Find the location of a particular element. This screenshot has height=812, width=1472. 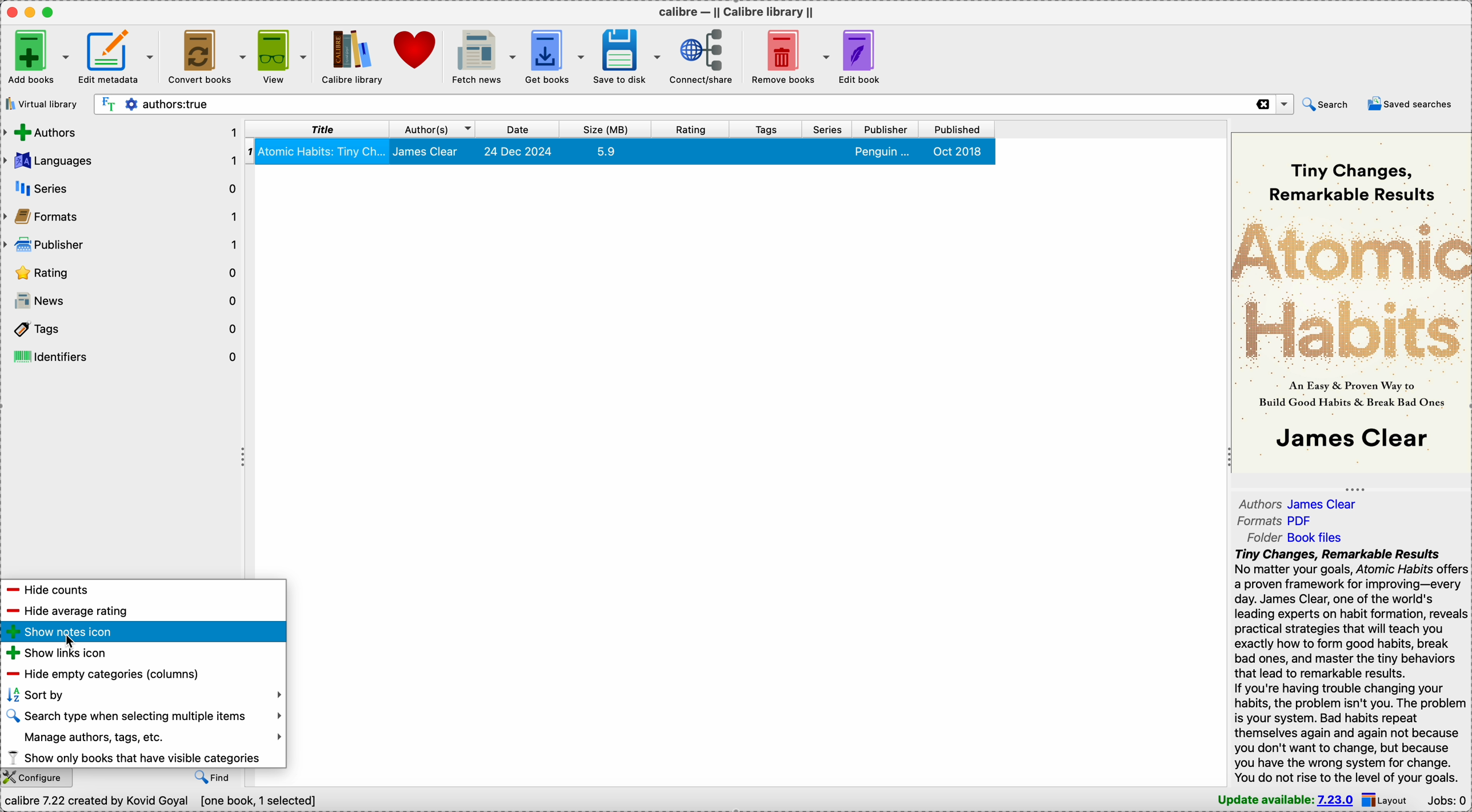

tags is located at coordinates (765, 129).